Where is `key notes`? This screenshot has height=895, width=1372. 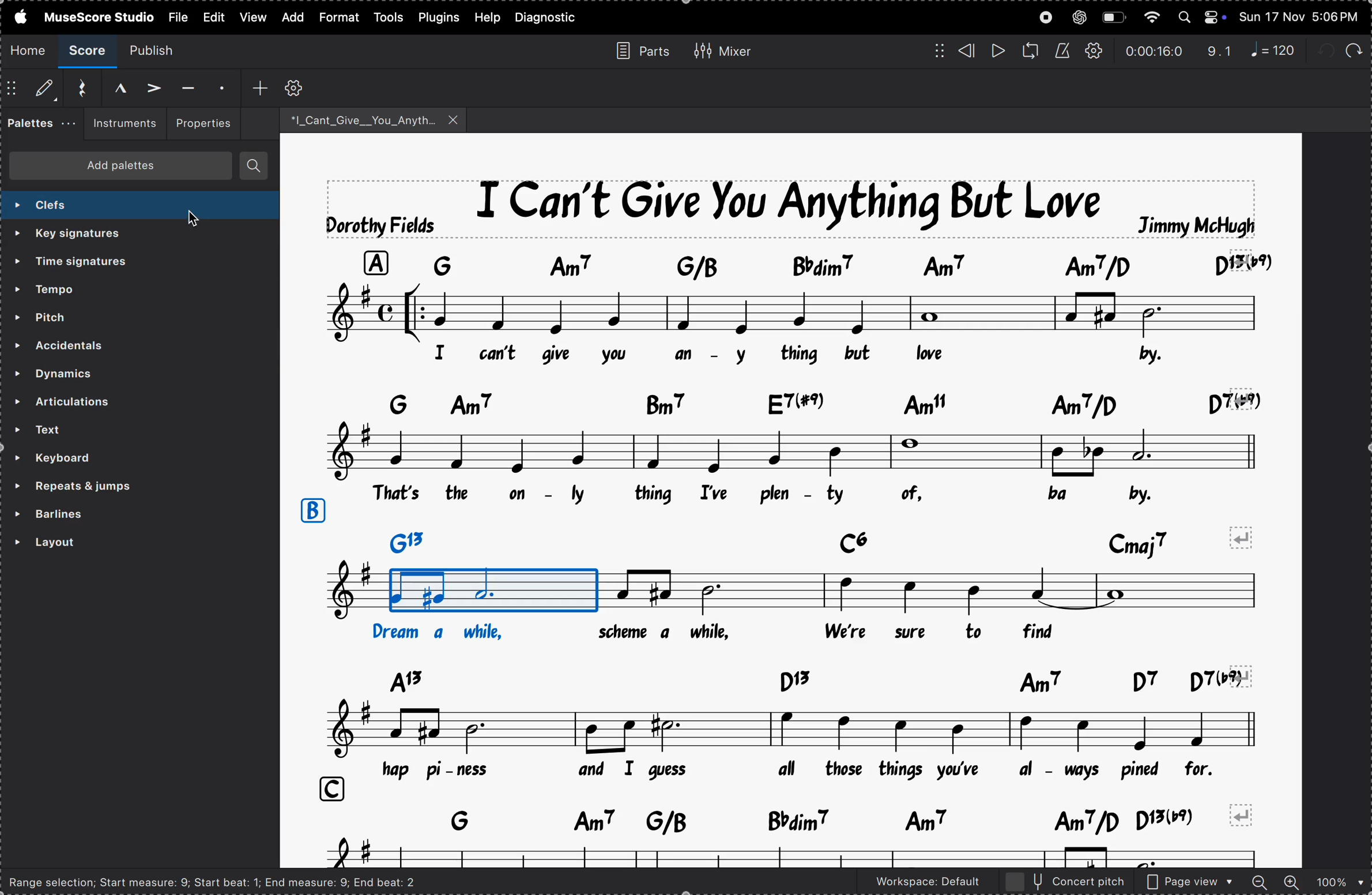
key notes is located at coordinates (795, 819).